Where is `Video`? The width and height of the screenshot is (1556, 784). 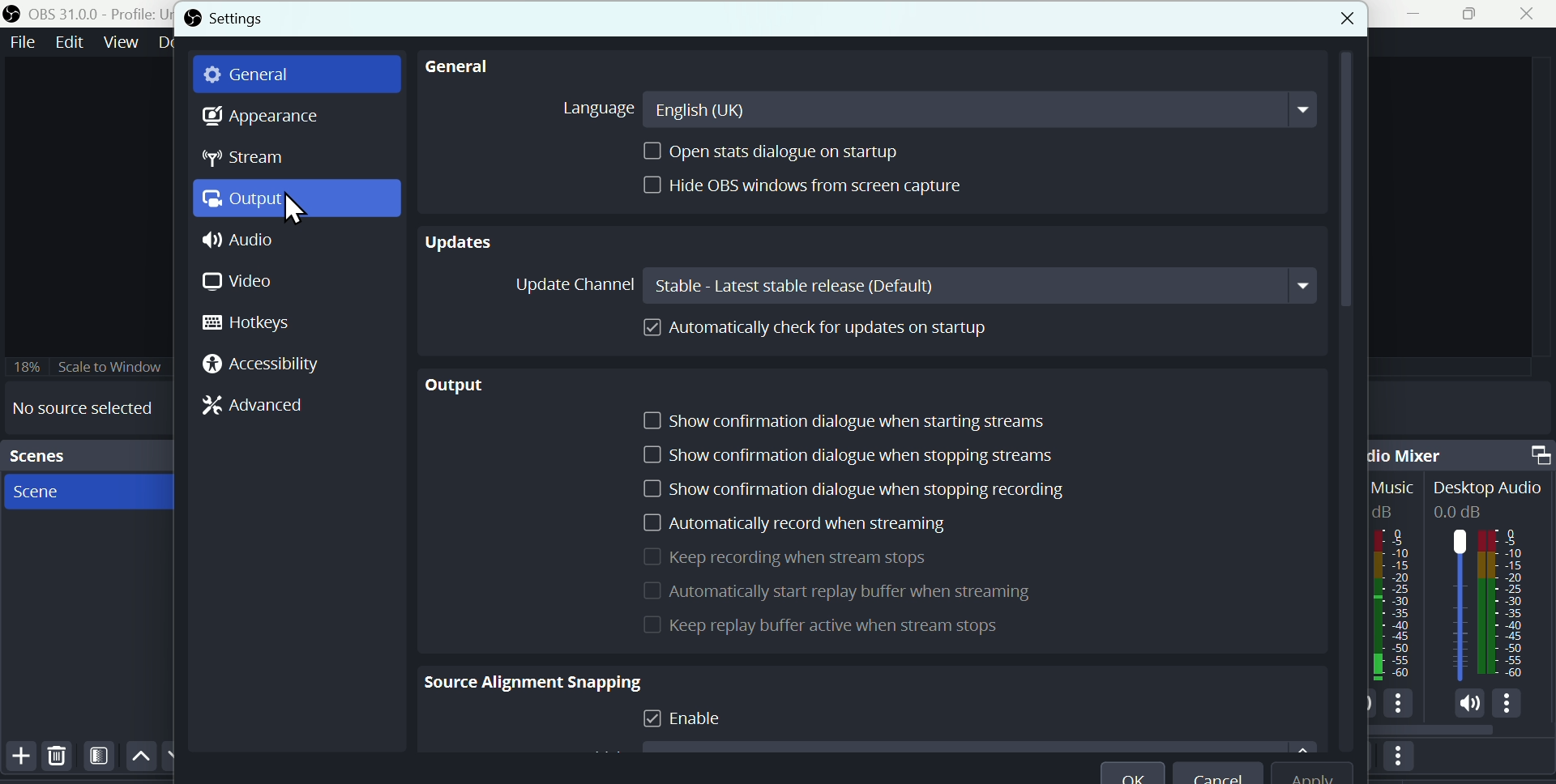
Video is located at coordinates (242, 283).